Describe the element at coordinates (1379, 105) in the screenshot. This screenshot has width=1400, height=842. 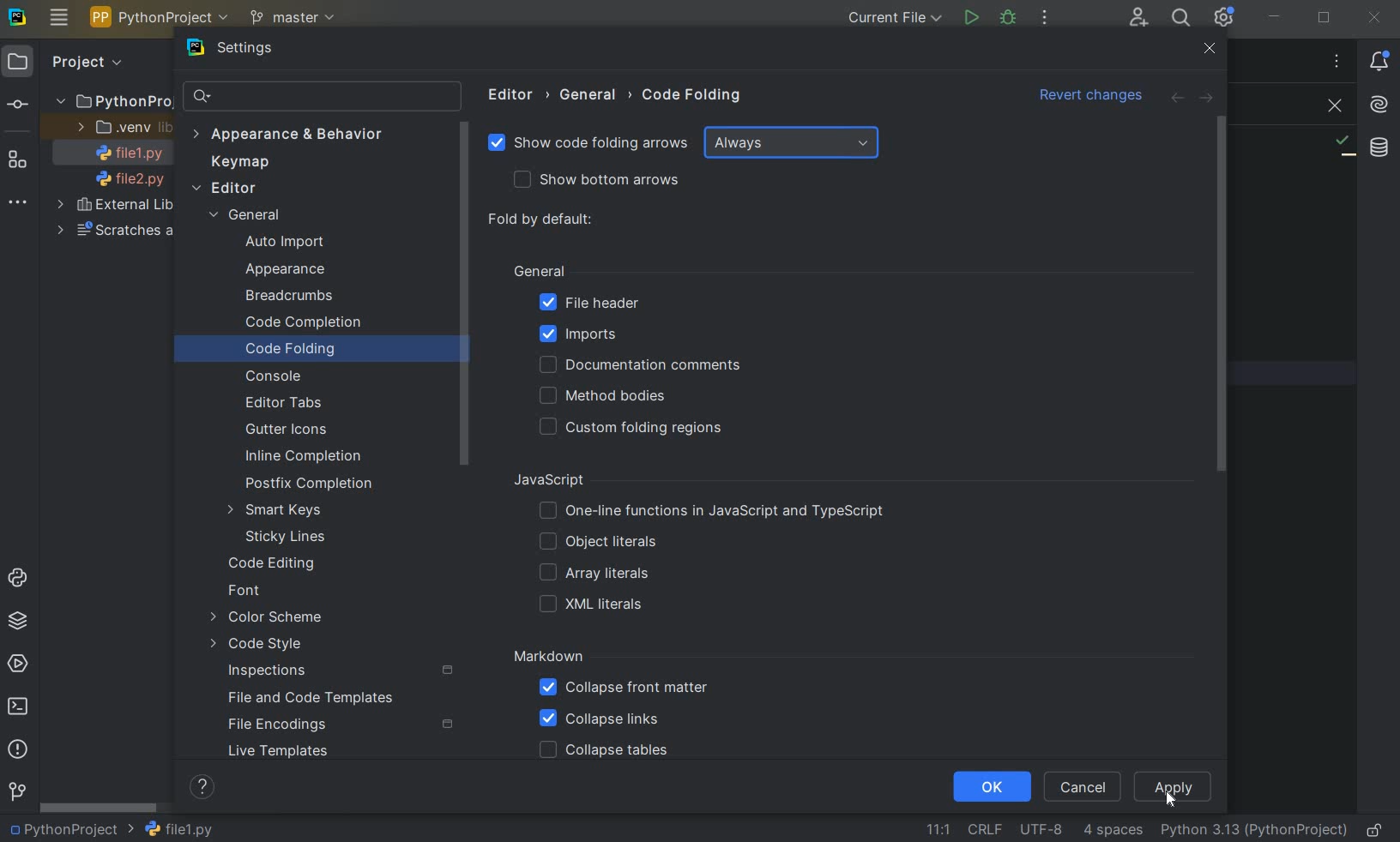
I see `AI ASSISTANT` at that location.